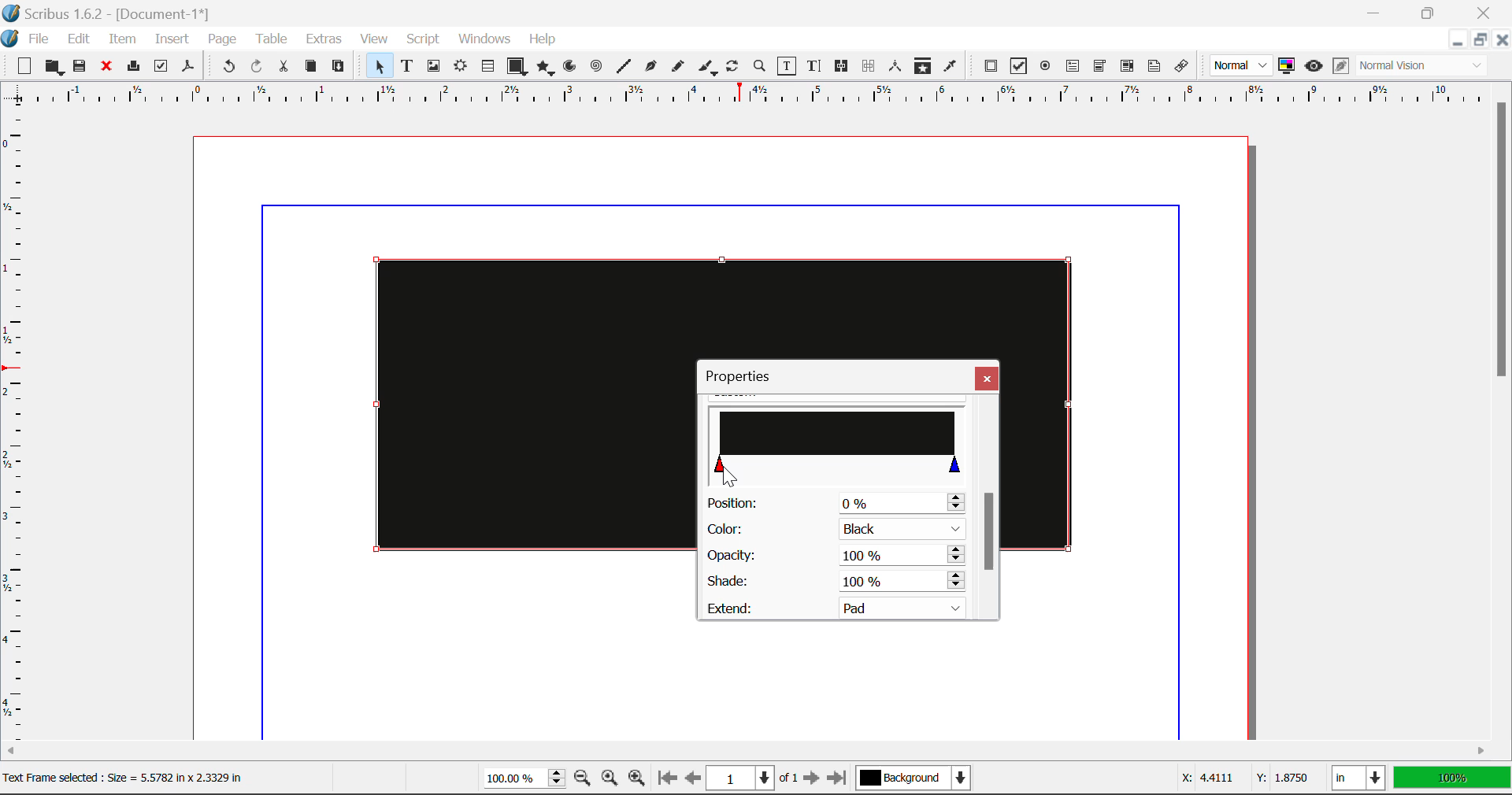 This screenshot has width=1512, height=795. What do you see at coordinates (1017, 66) in the screenshot?
I see `PDF Checkbox` at bounding box center [1017, 66].